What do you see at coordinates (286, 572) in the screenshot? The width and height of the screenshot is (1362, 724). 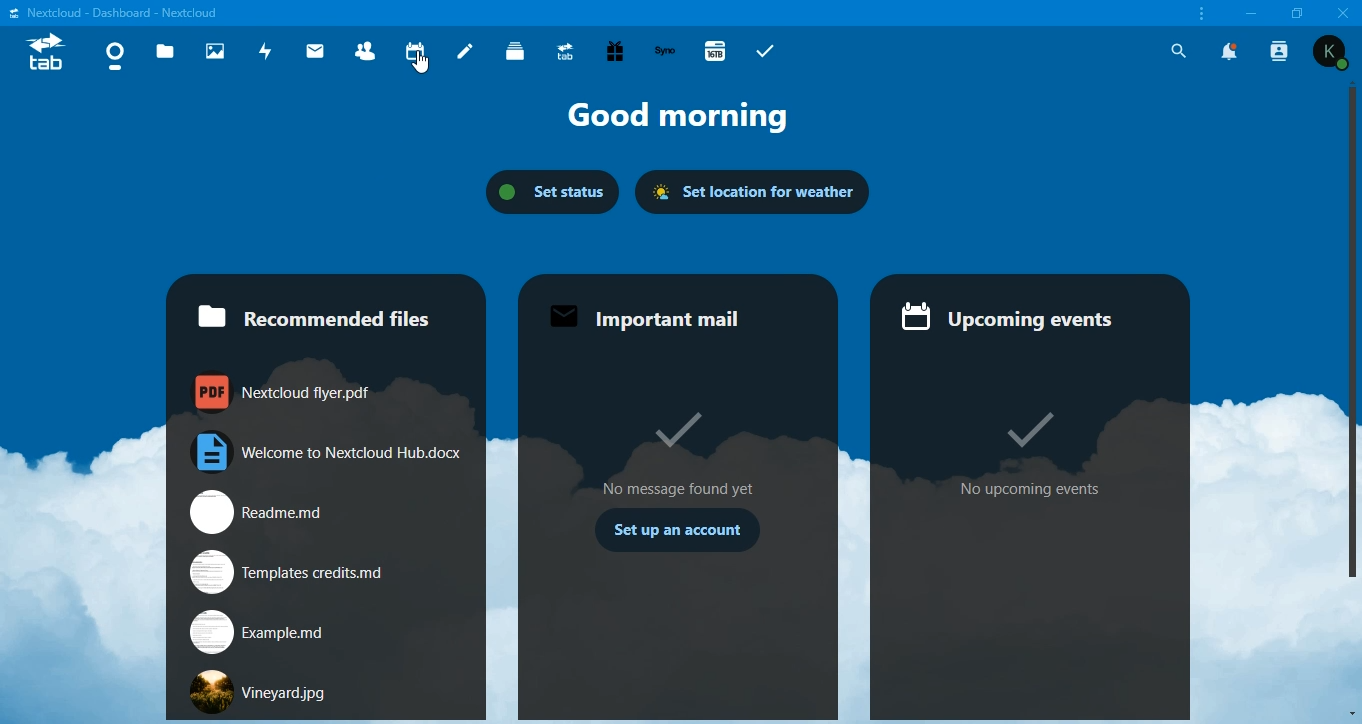 I see `templates credits.md` at bounding box center [286, 572].